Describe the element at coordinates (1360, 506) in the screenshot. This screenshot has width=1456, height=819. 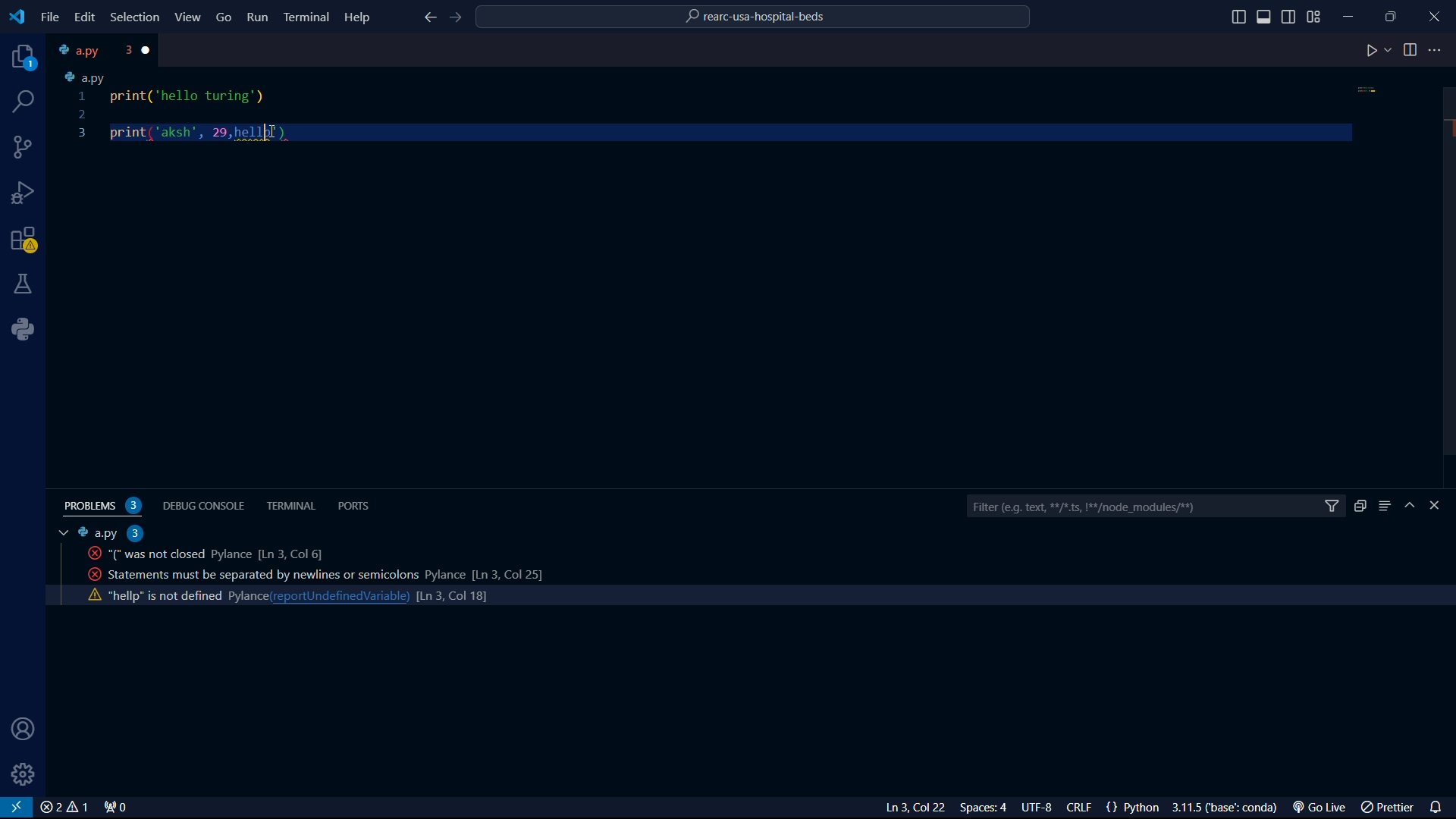
I see `duplicate` at that location.